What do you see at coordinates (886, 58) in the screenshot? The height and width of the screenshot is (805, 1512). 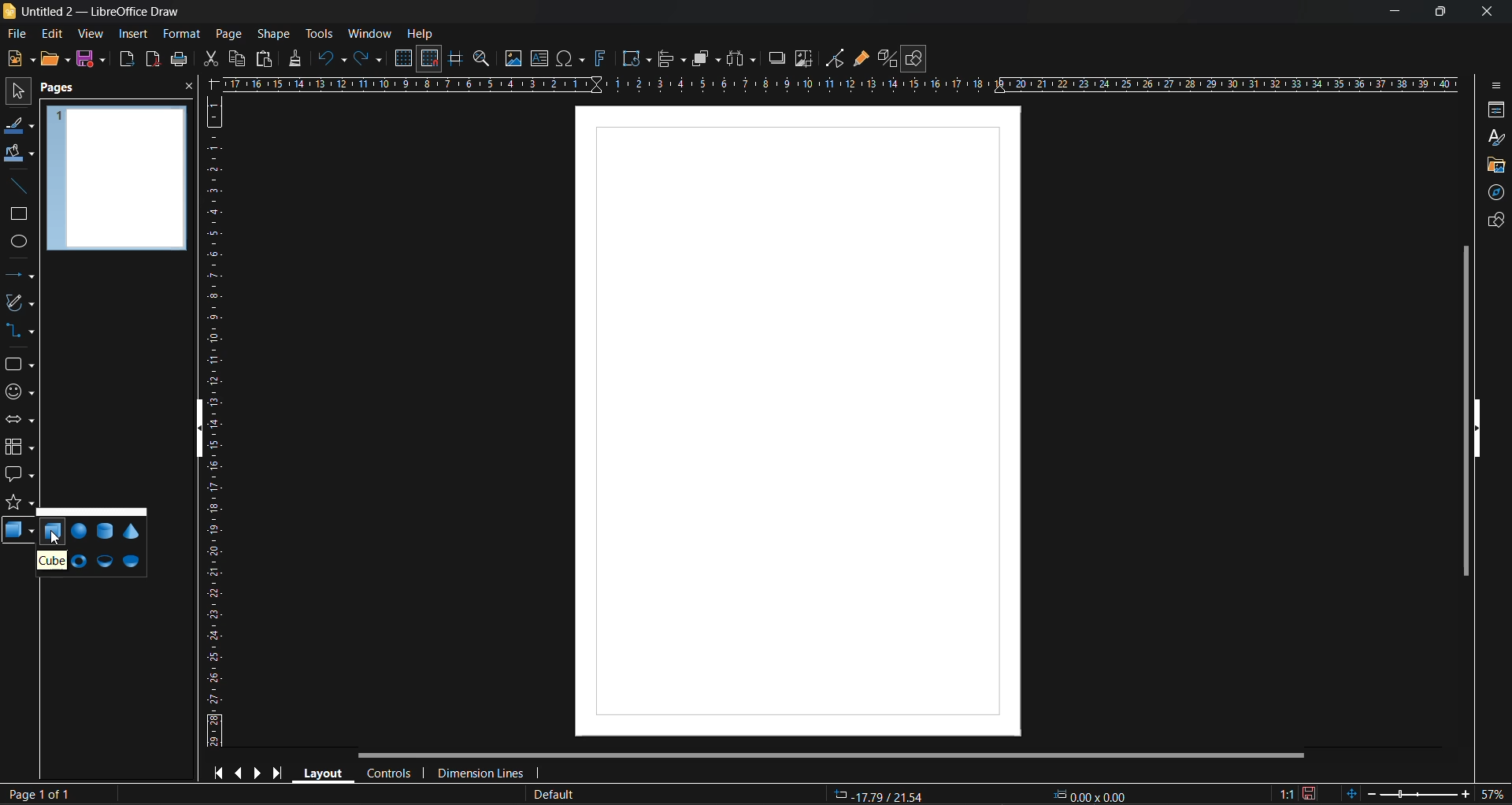 I see `toggle extrusion` at bounding box center [886, 58].